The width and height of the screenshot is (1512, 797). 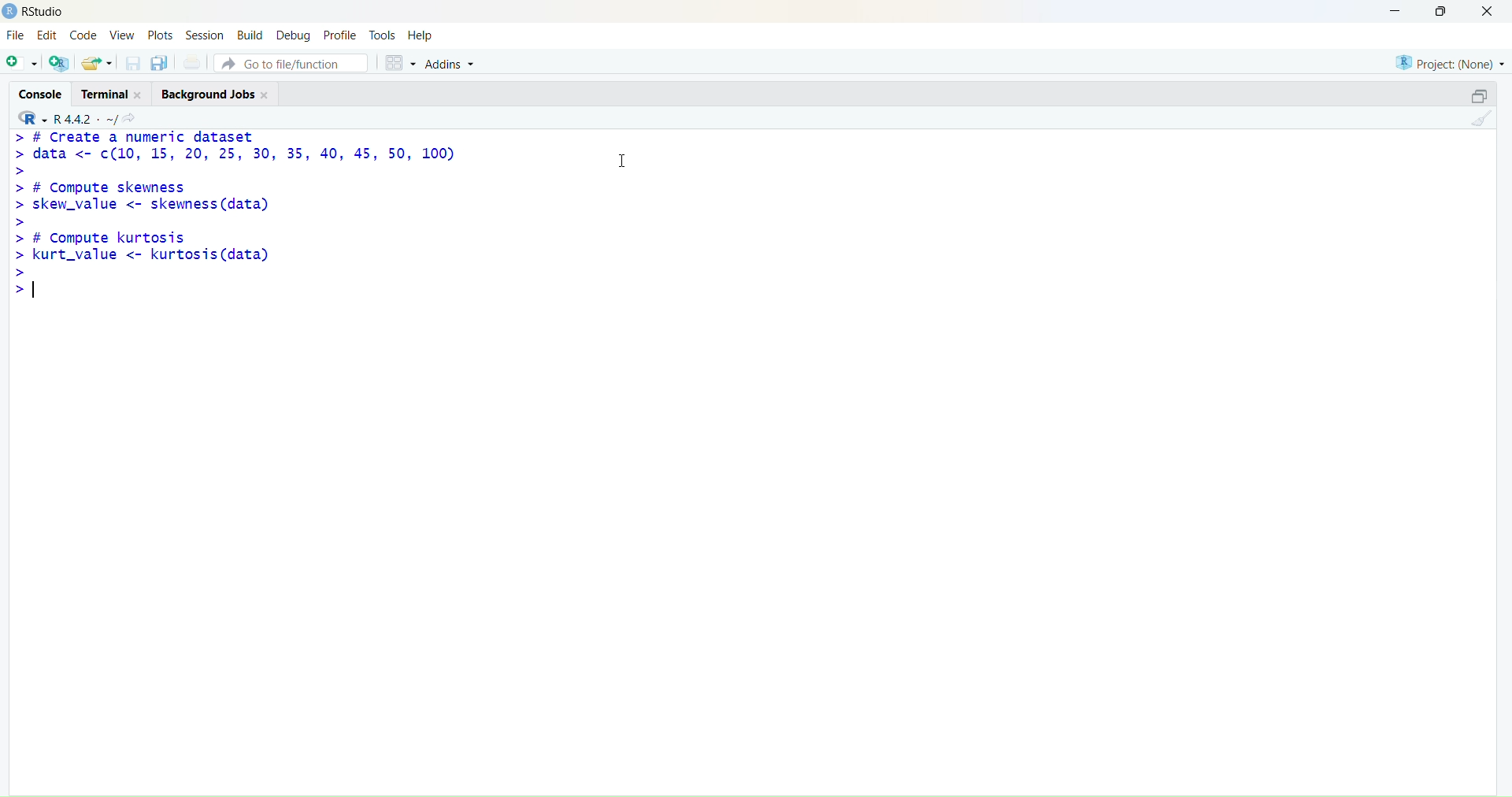 I want to click on Close, so click(x=1492, y=16).